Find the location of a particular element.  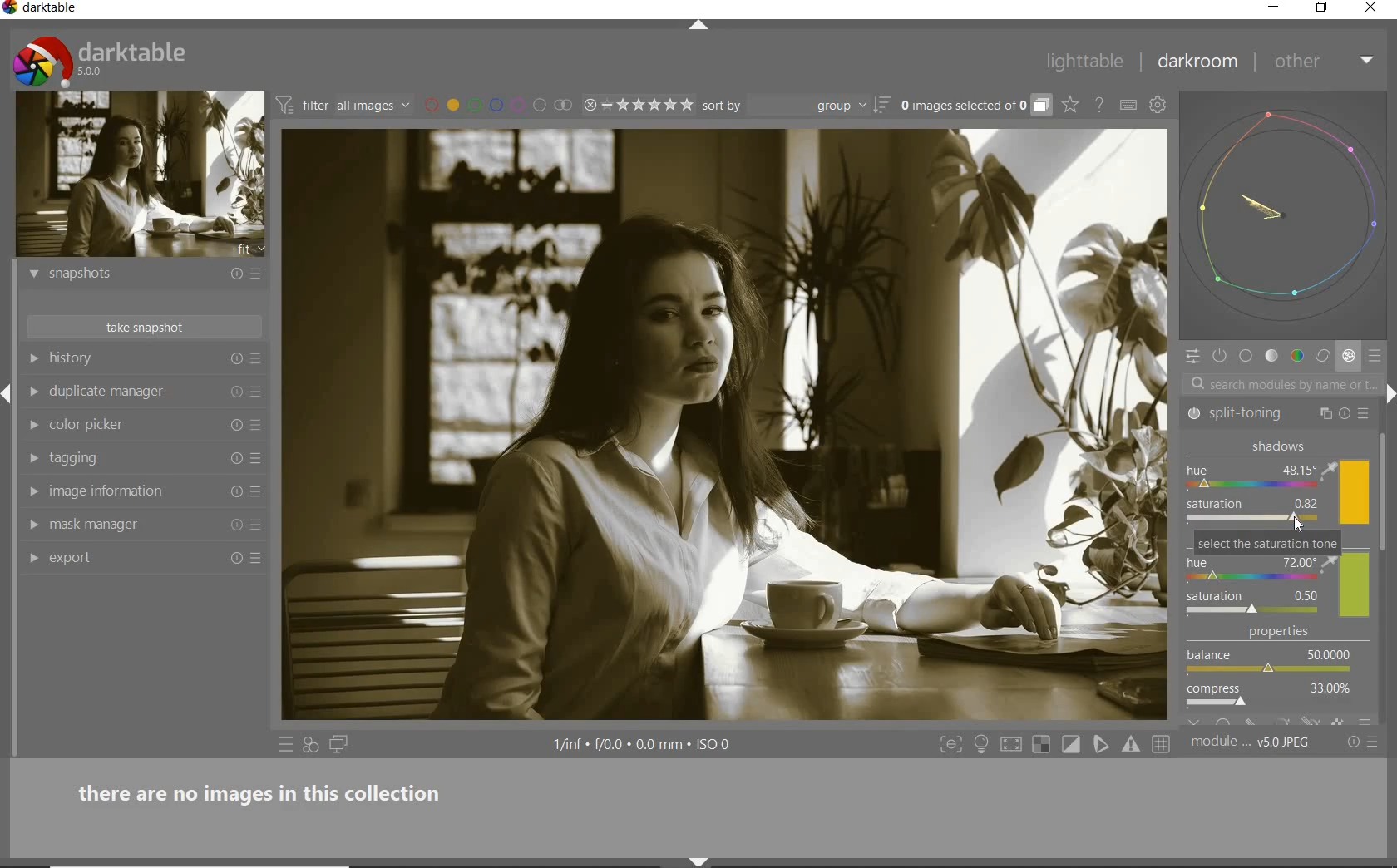

shift+o is located at coordinates (1040, 746).